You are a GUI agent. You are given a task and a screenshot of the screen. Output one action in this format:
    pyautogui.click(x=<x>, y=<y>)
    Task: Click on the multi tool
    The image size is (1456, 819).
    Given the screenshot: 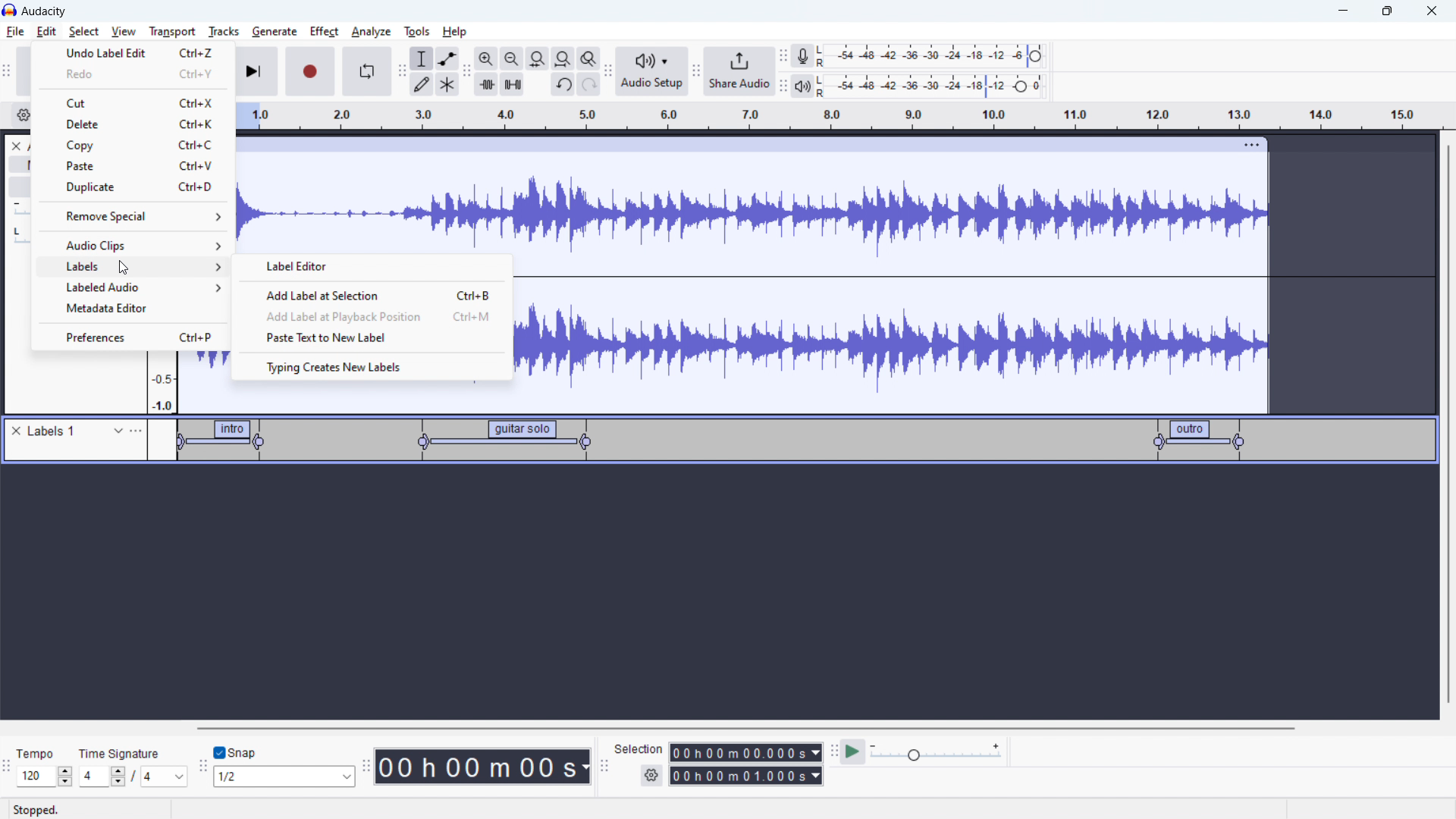 What is the action you would take?
    pyautogui.click(x=448, y=84)
    